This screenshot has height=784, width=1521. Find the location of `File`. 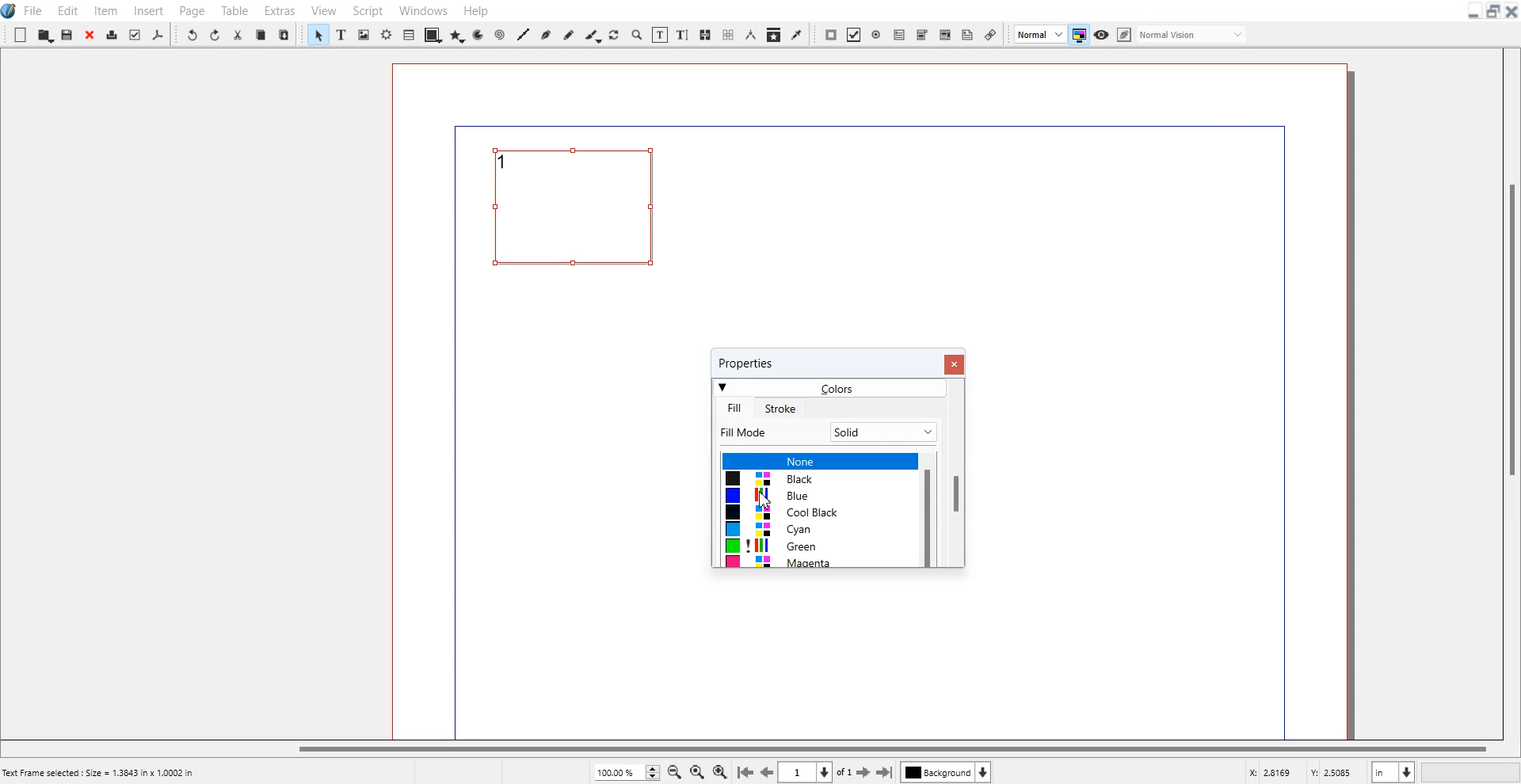

File is located at coordinates (34, 10).